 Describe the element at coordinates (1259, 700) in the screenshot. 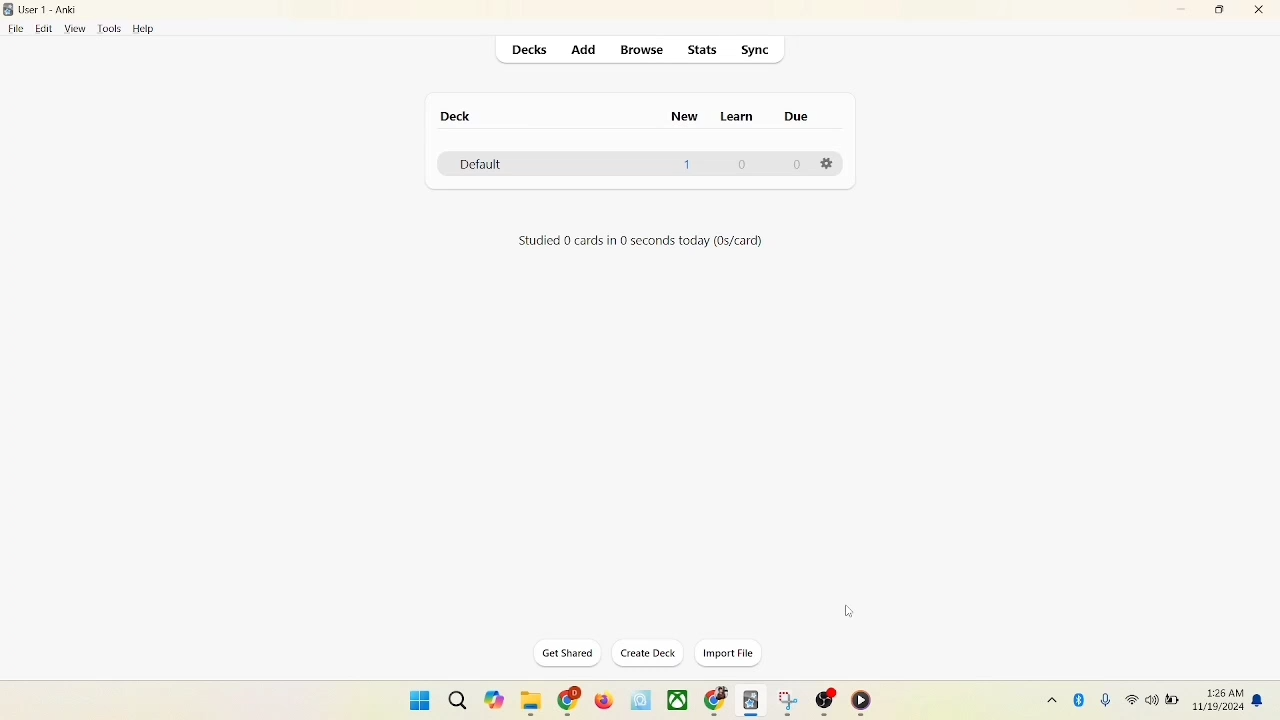

I see `notification` at that location.